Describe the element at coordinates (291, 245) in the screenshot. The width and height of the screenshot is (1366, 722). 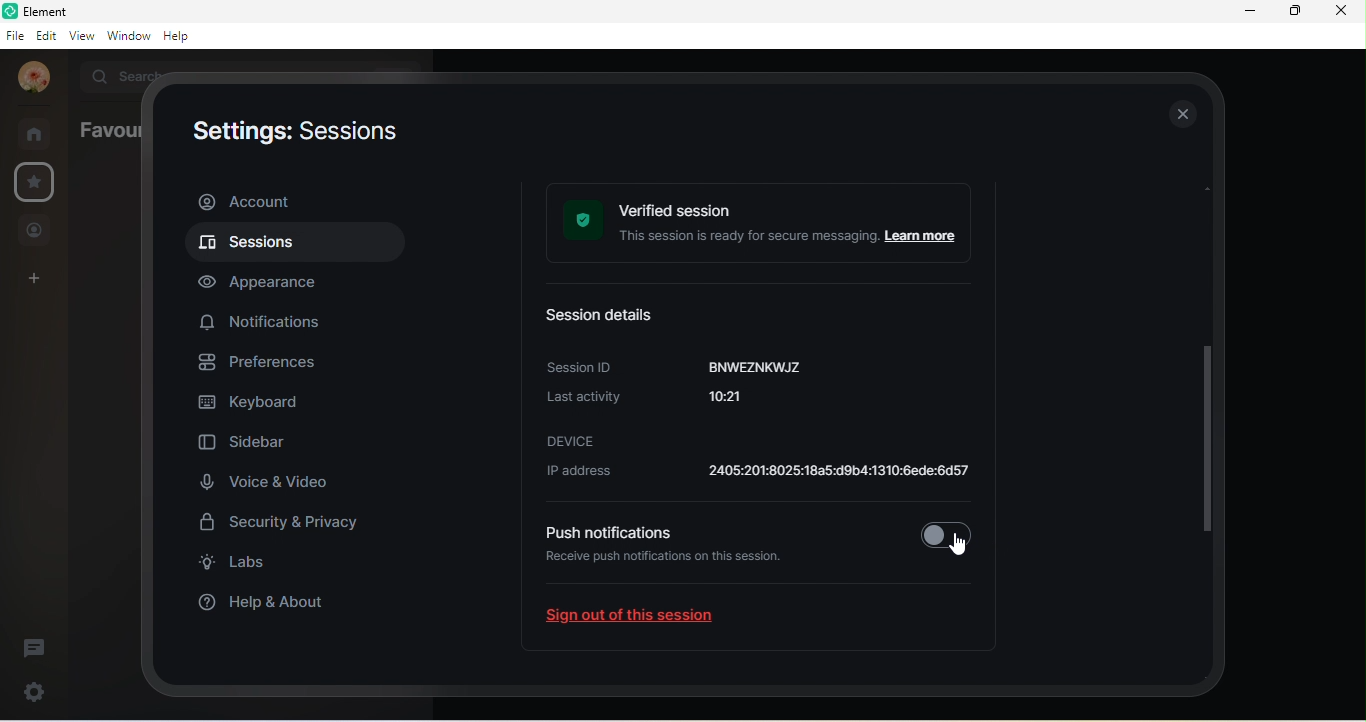
I see `sessions` at that location.